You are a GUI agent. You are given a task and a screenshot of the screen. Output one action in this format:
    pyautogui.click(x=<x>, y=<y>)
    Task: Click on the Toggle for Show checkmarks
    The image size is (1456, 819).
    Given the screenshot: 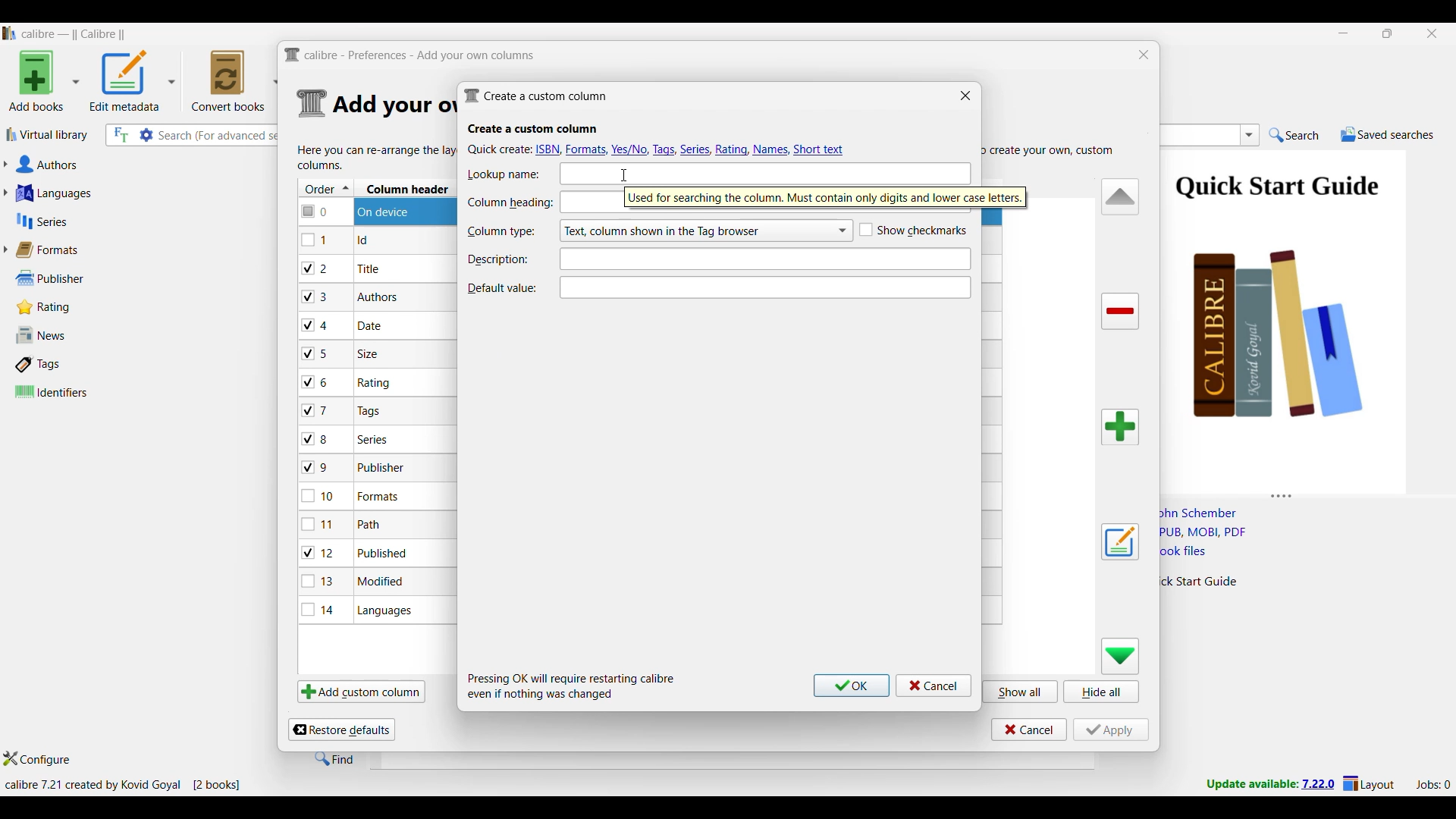 What is the action you would take?
    pyautogui.click(x=913, y=231)
    